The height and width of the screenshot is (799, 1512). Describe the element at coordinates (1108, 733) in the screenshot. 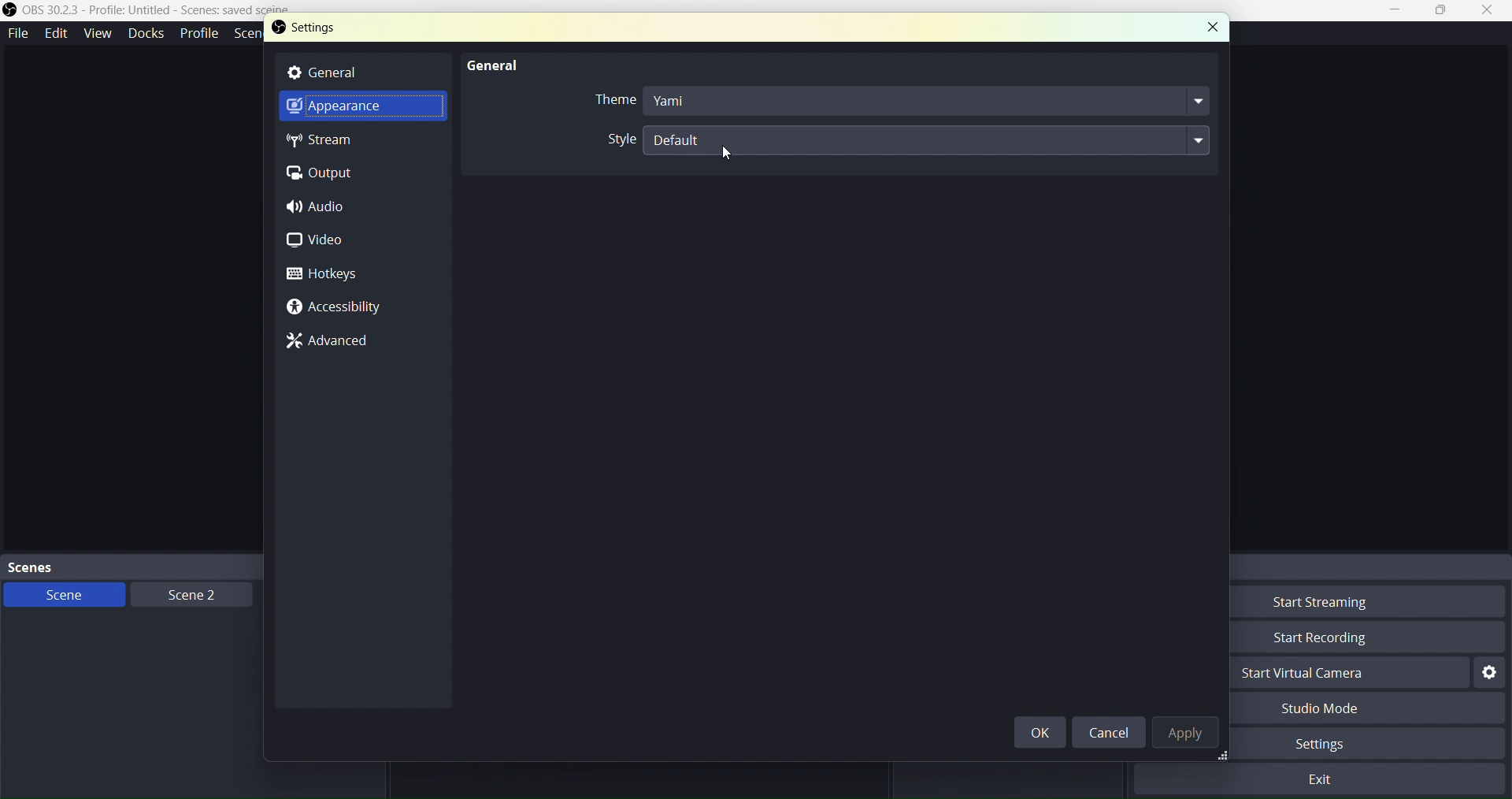

I see `Cancel` at that location.